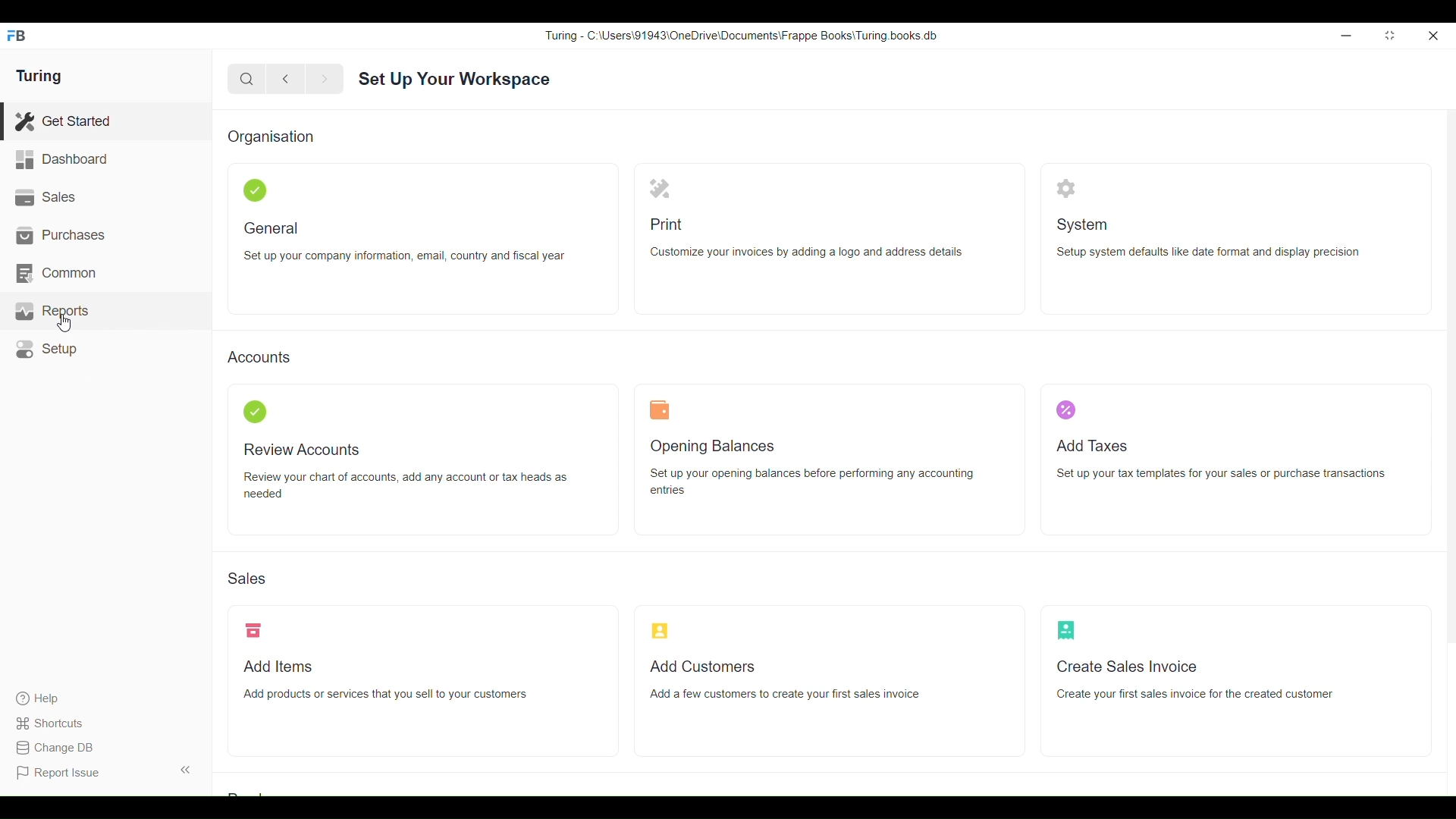  What do you see at coordinates (106, 235) in the screenshot?
I see `Purchases` at bounding box center [106, 235].